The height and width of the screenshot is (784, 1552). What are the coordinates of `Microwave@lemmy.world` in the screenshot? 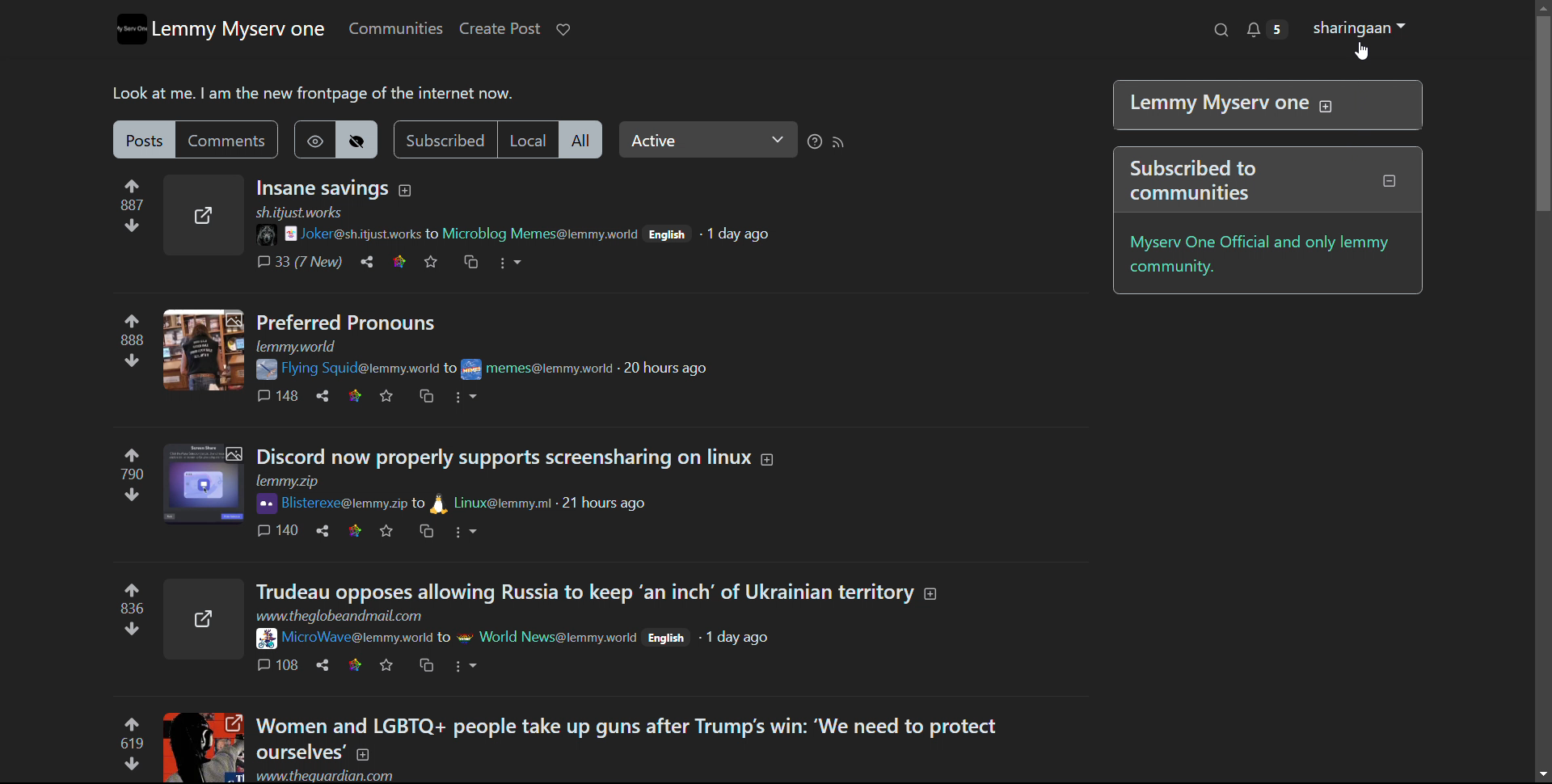 It's located at (344, 639).